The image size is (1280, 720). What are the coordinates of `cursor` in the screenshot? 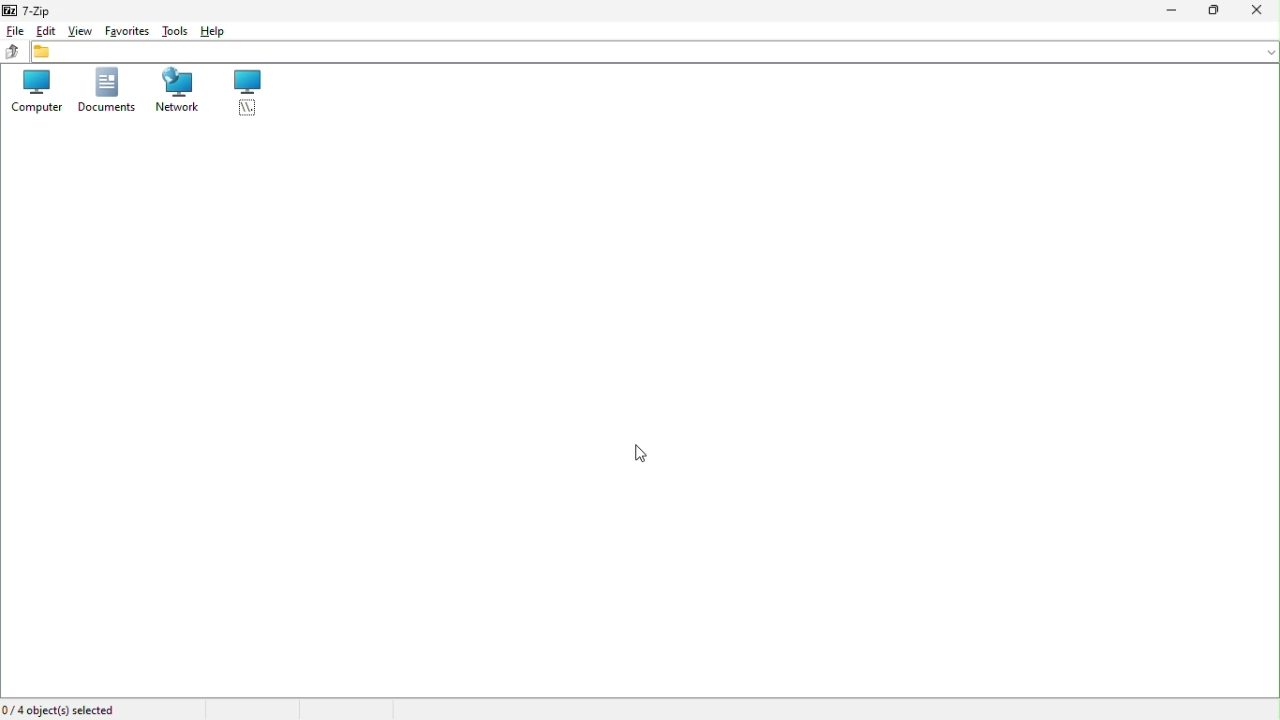 It's located at (644, 454).